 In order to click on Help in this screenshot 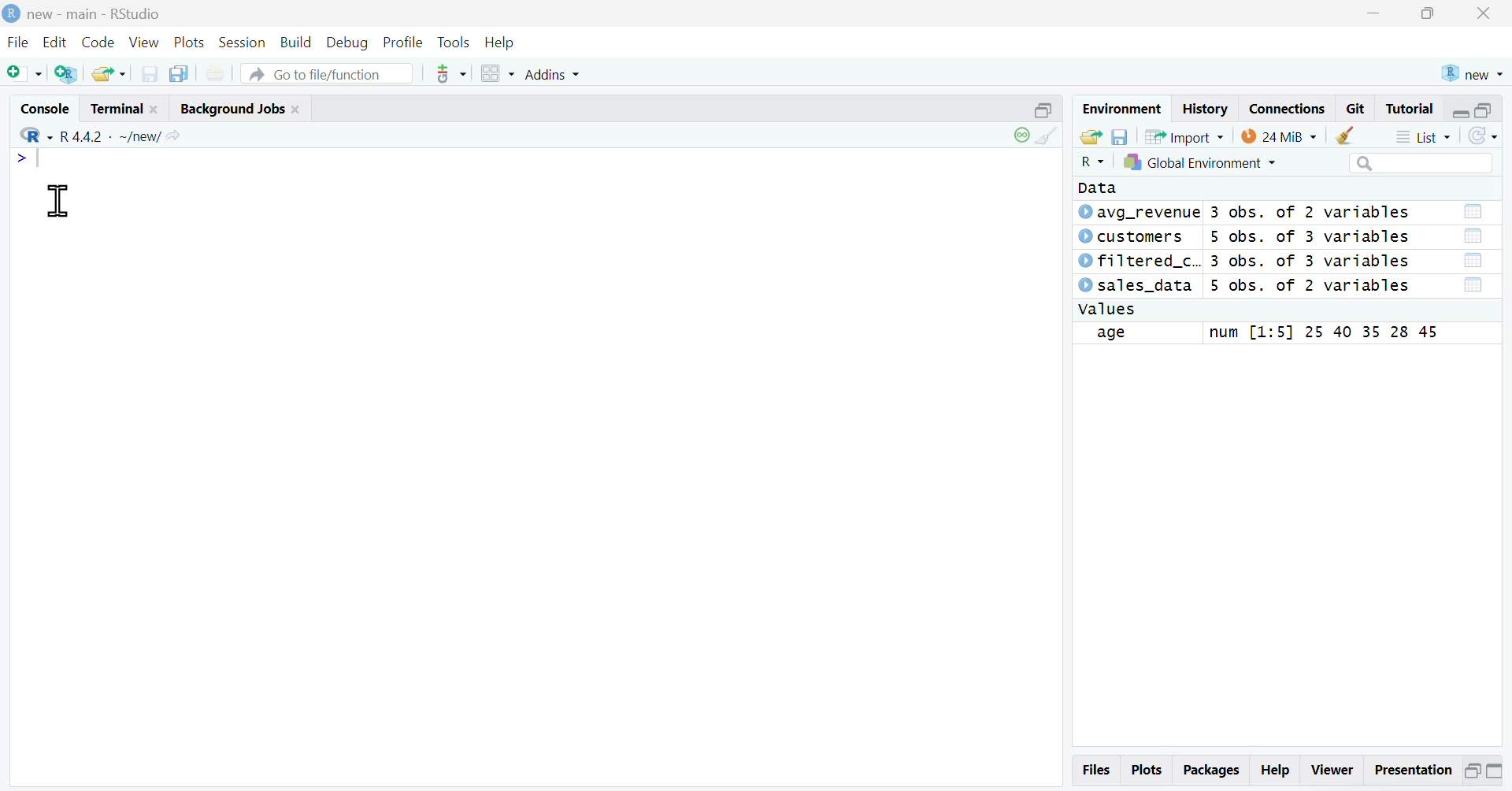, I will do `click(1274, 772)`.